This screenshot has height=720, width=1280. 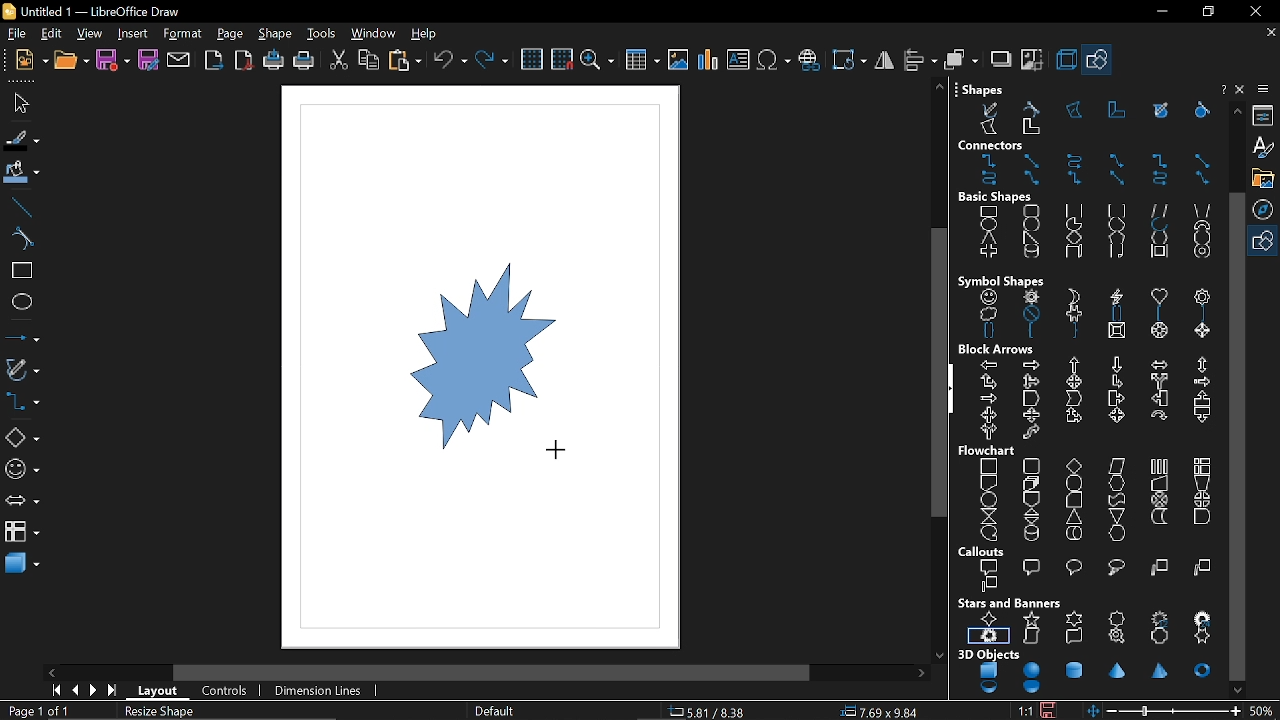 What do you see at coordinates (1091, 493) in the screenshot?
I see `flowchart` at bounding box center [1091, 493].